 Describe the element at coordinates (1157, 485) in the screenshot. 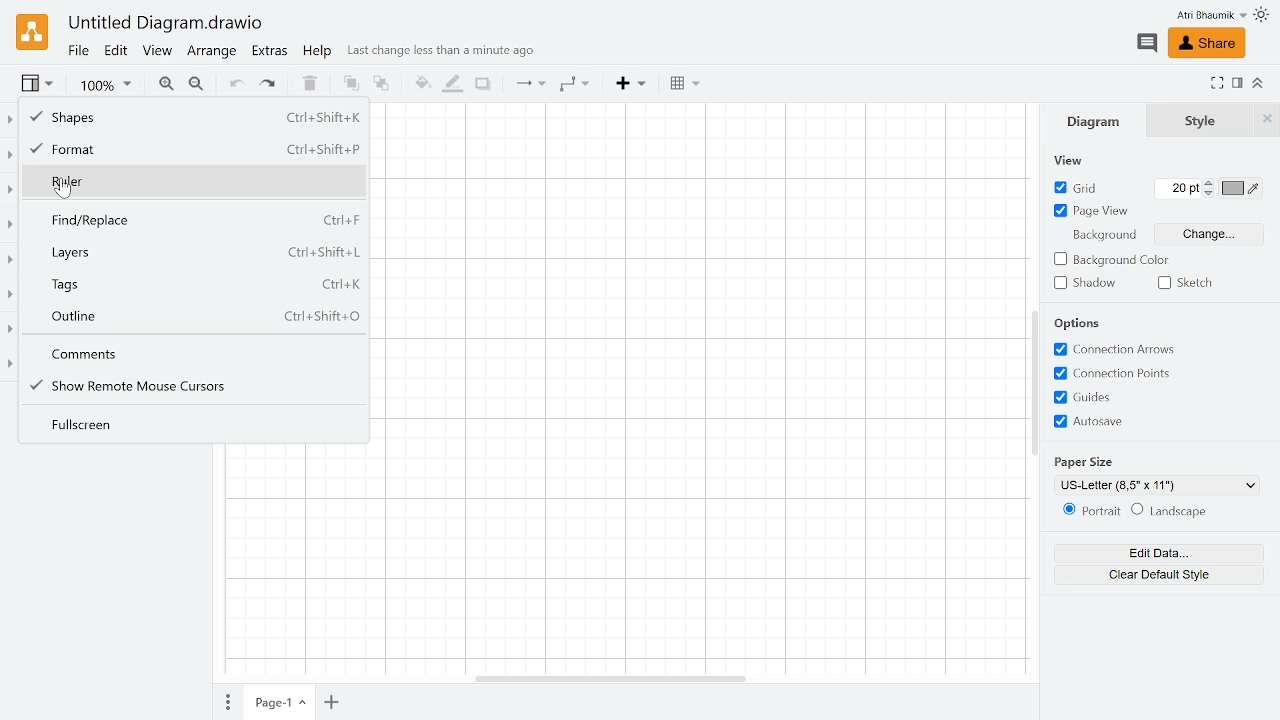

I see `Current paper size` at that location.